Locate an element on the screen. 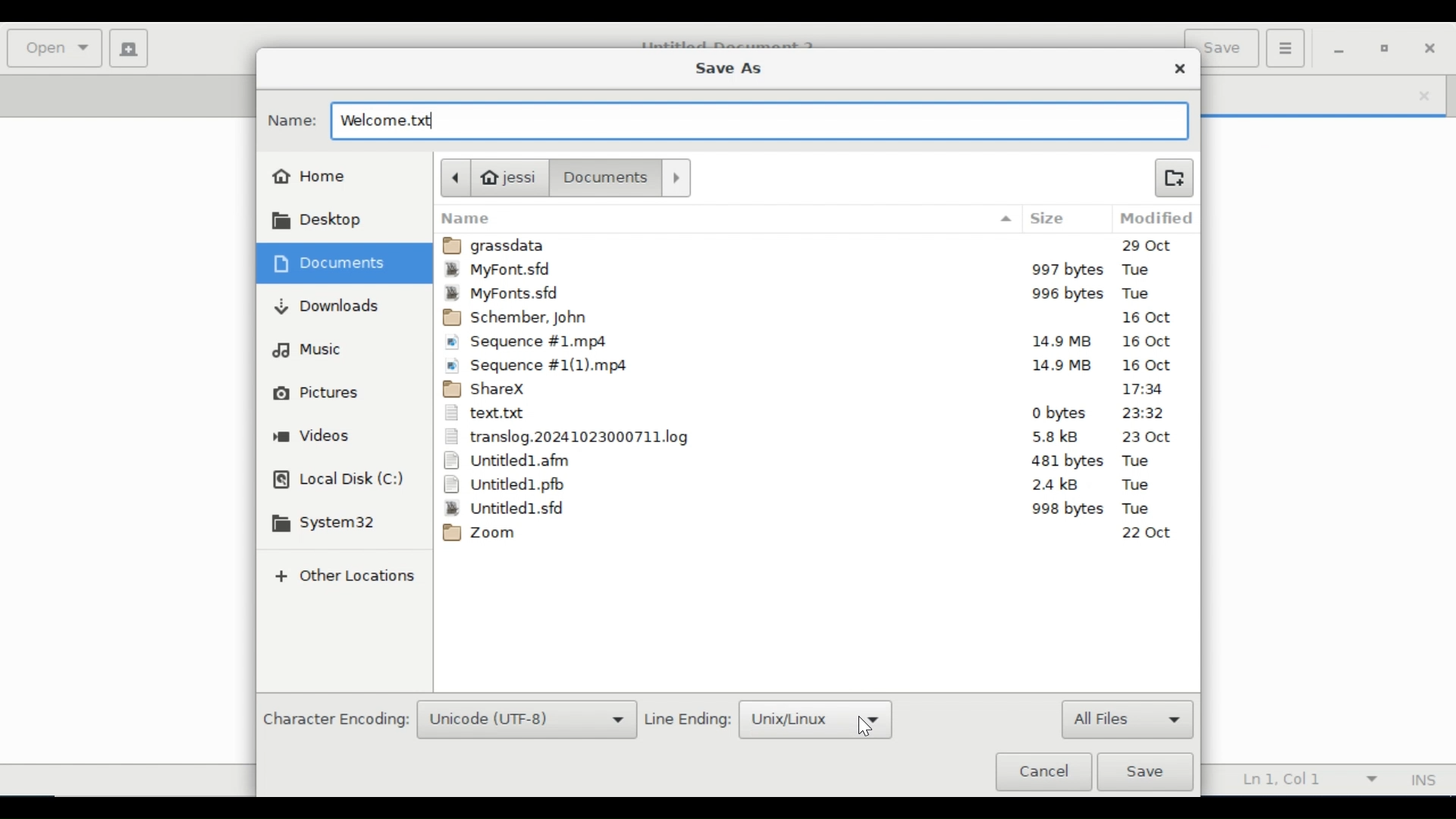 Image resolution: width=1456 pixels, height=819 pixels. Document is located at coordinates (606, 177).